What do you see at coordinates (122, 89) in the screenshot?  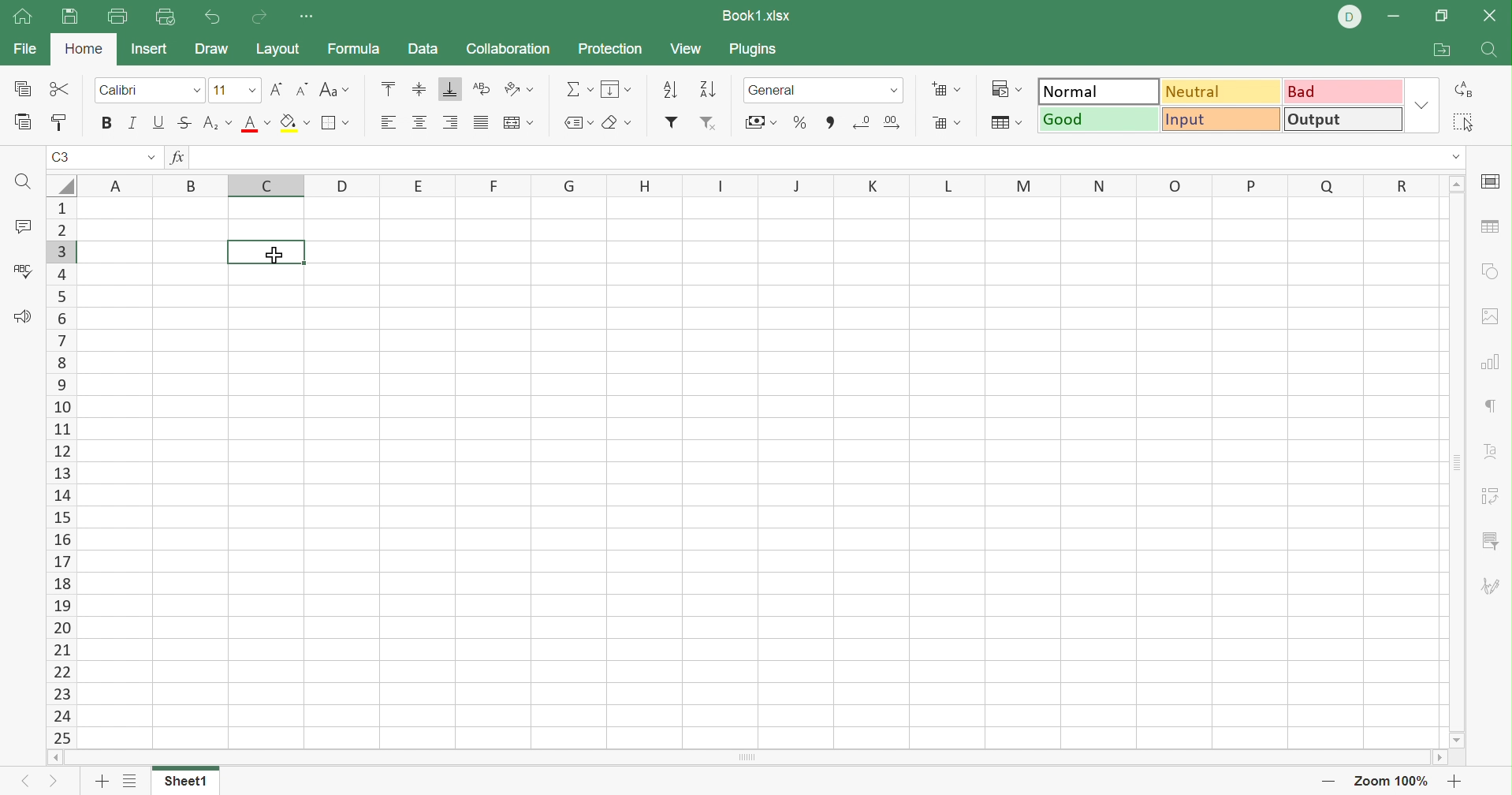 I see `Calibri` at bounding box center [122, 89].